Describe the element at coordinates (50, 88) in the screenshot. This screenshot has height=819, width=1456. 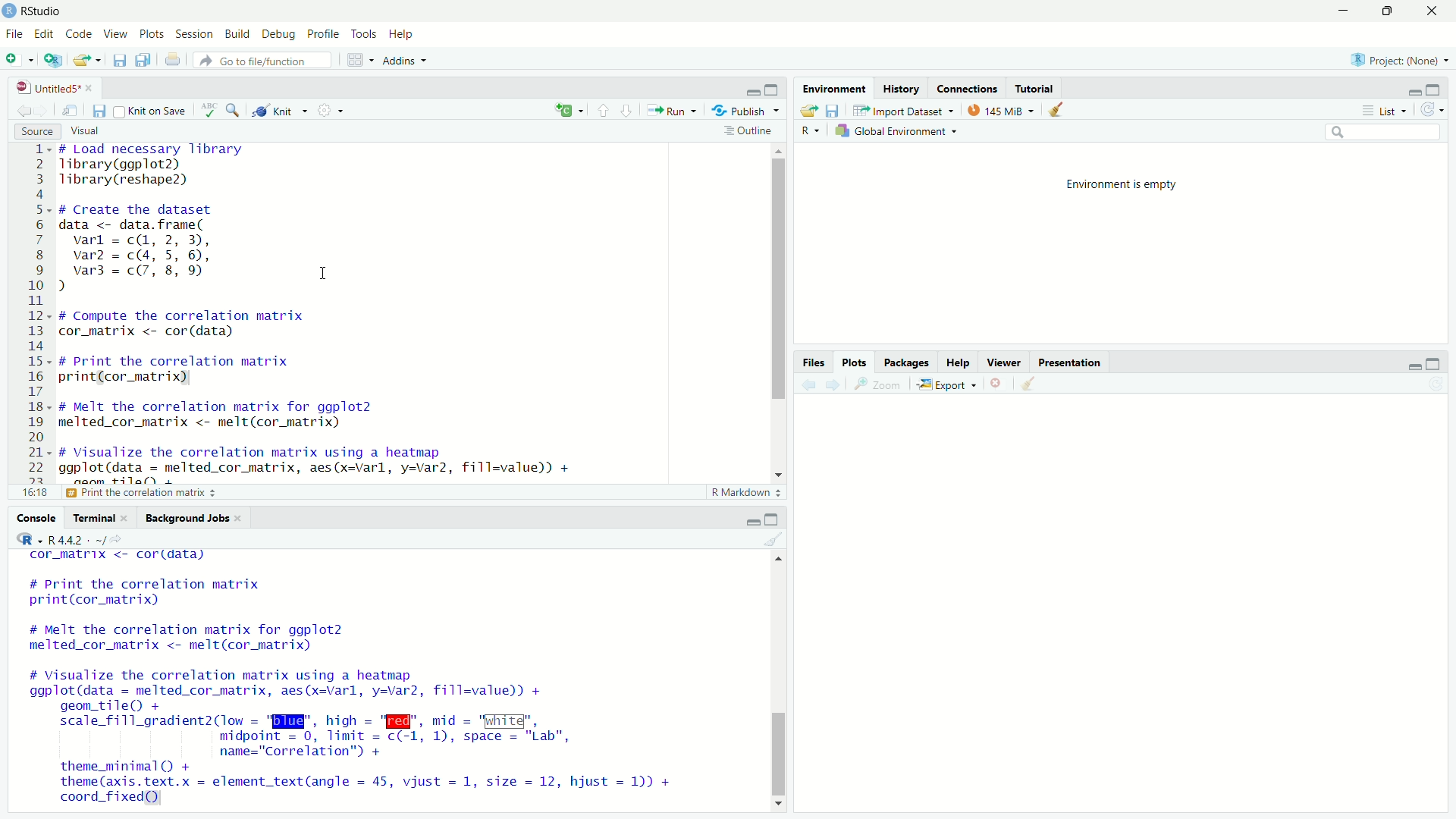
I see `file name: untitled5` at that location.